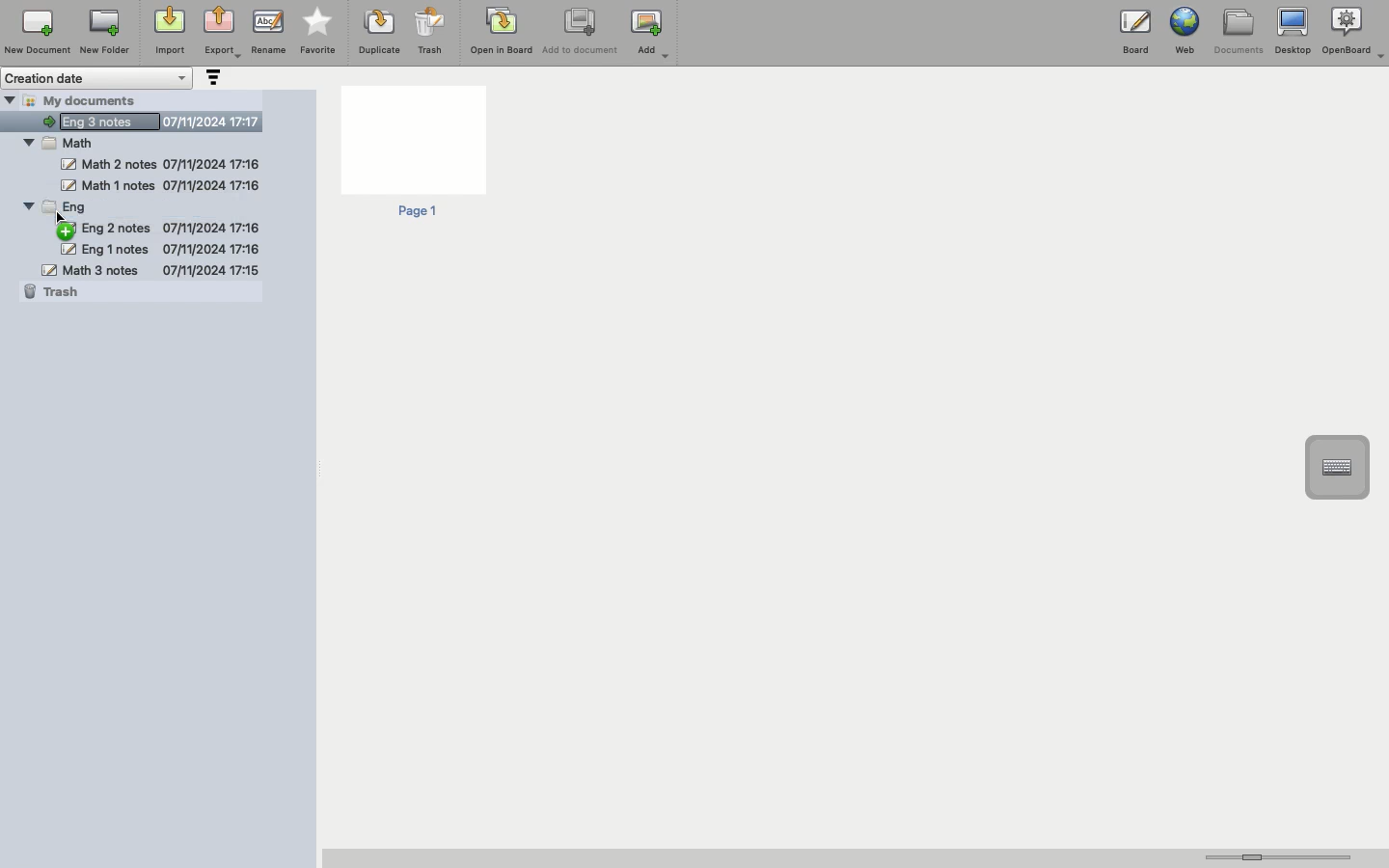 The width and height of the screenshot is (1389, 868). What do you see at coordinates (10, 99) in the screenshot?
I see `Hide` at bounding box center [10, 99].